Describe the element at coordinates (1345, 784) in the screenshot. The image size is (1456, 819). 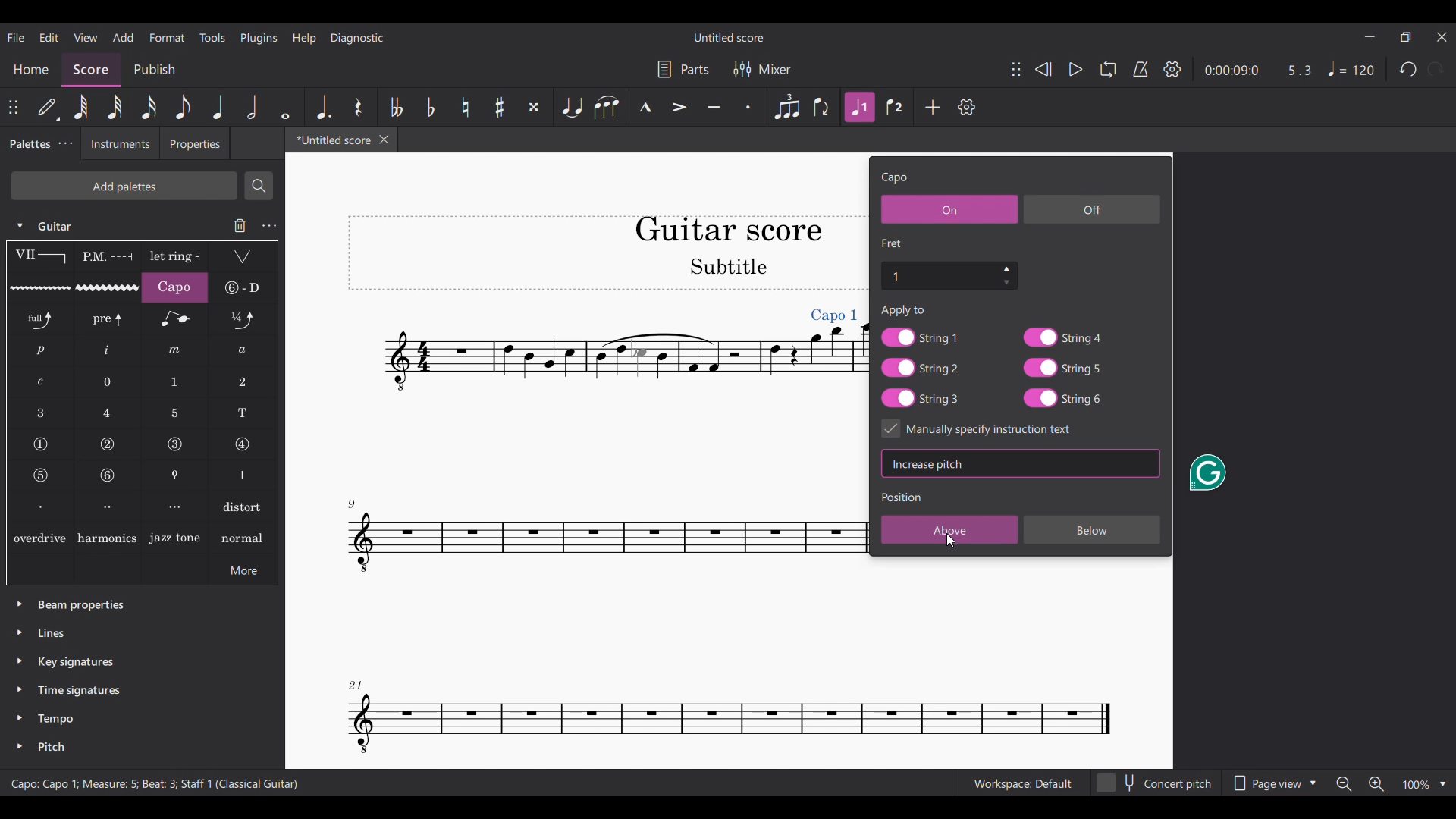
I see `Zoom out` at that location.